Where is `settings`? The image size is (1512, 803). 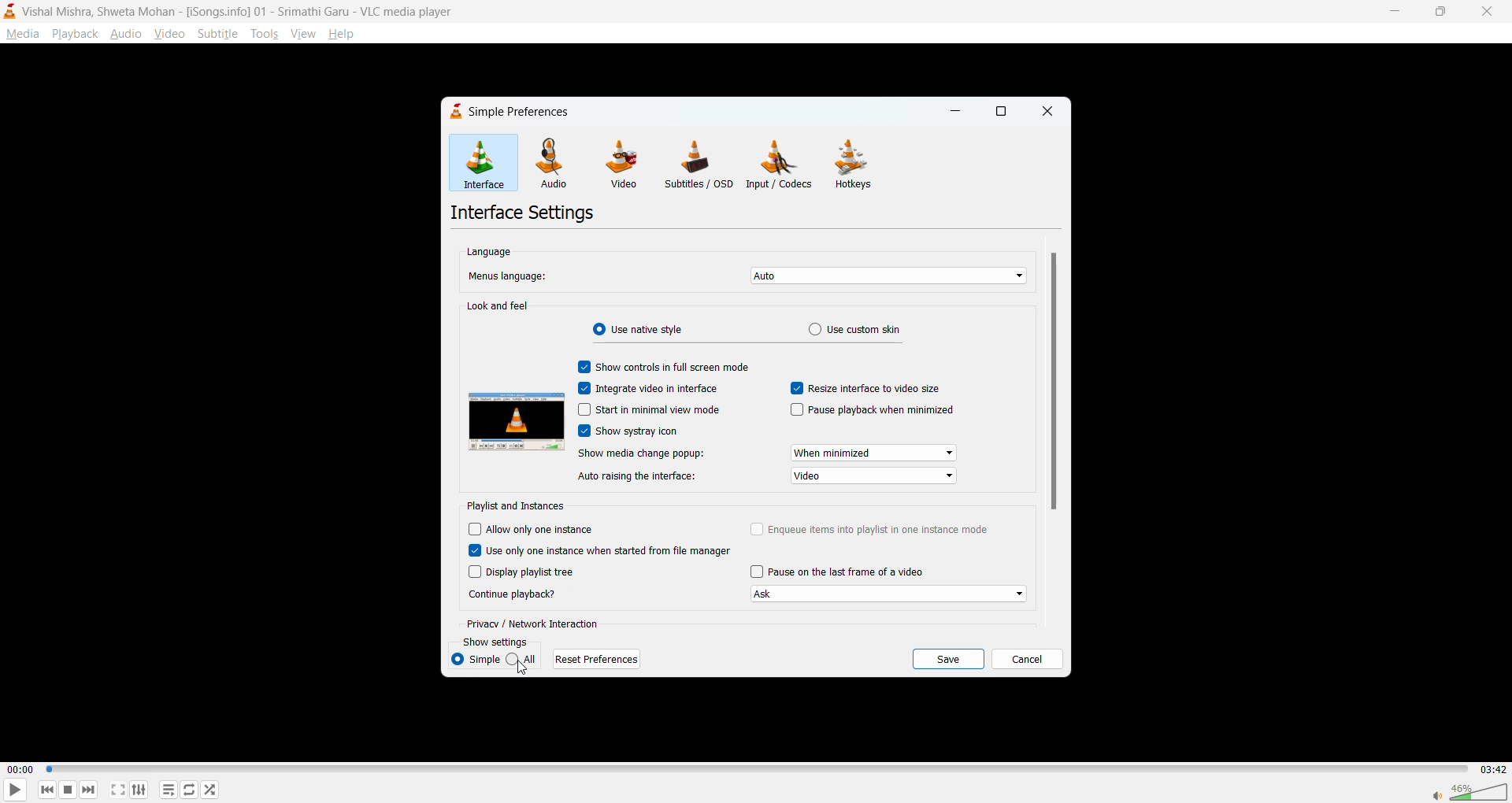
settings is located at coordinates (139, 789).